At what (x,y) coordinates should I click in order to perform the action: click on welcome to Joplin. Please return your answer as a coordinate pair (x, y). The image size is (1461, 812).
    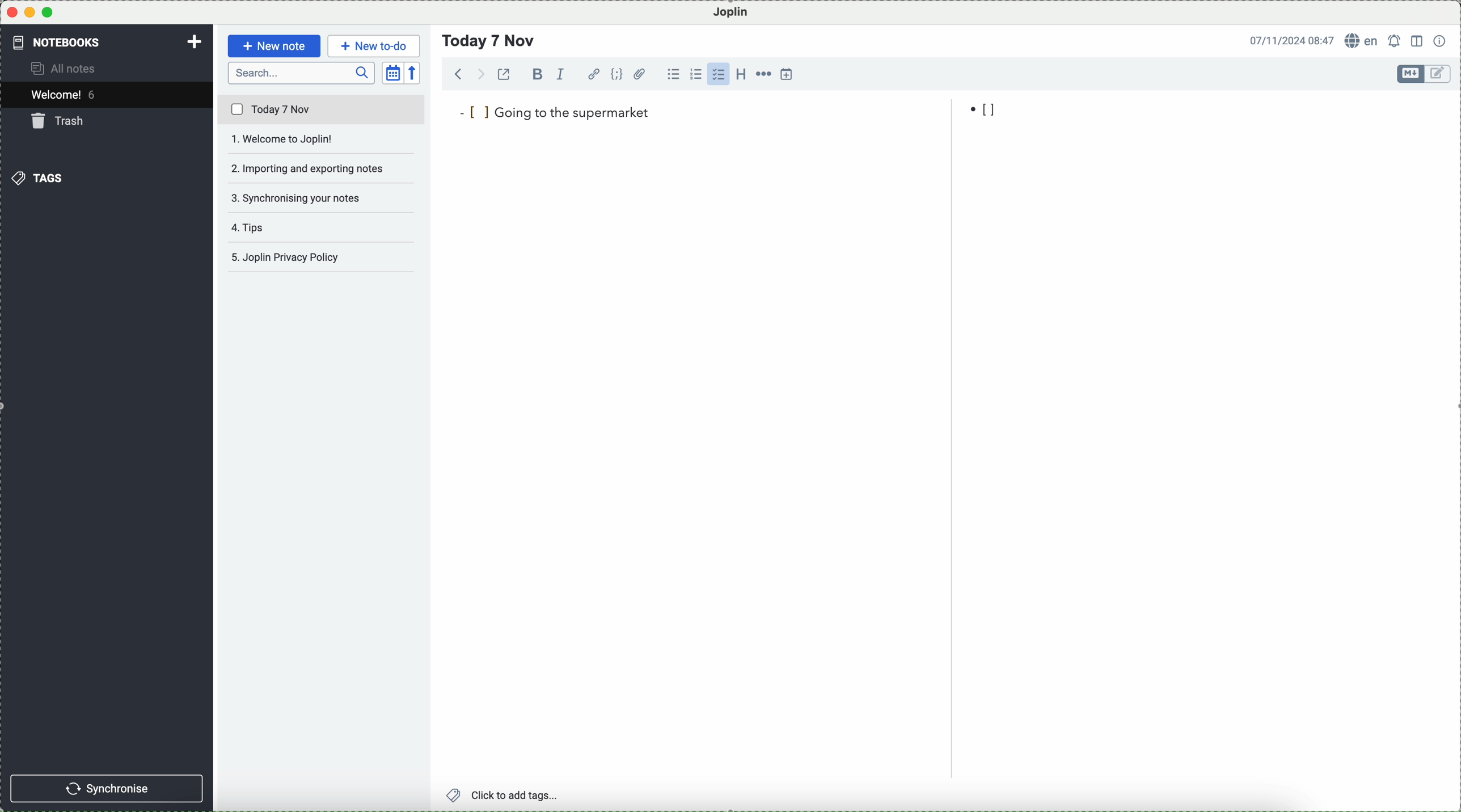
    Looking at the image, I should click on (321, 139).